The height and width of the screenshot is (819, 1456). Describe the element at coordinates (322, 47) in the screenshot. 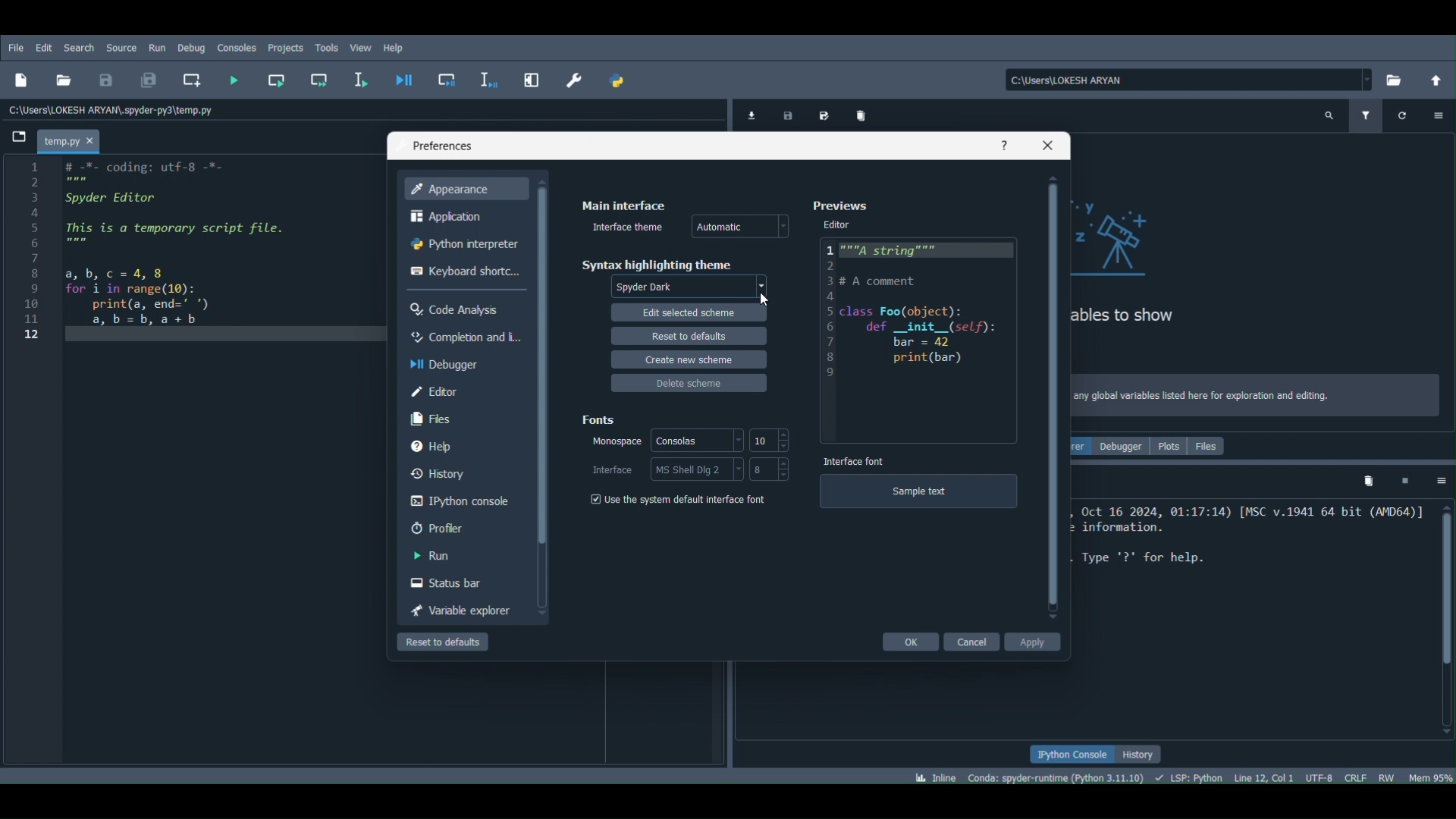

I see `Tools` at that location.